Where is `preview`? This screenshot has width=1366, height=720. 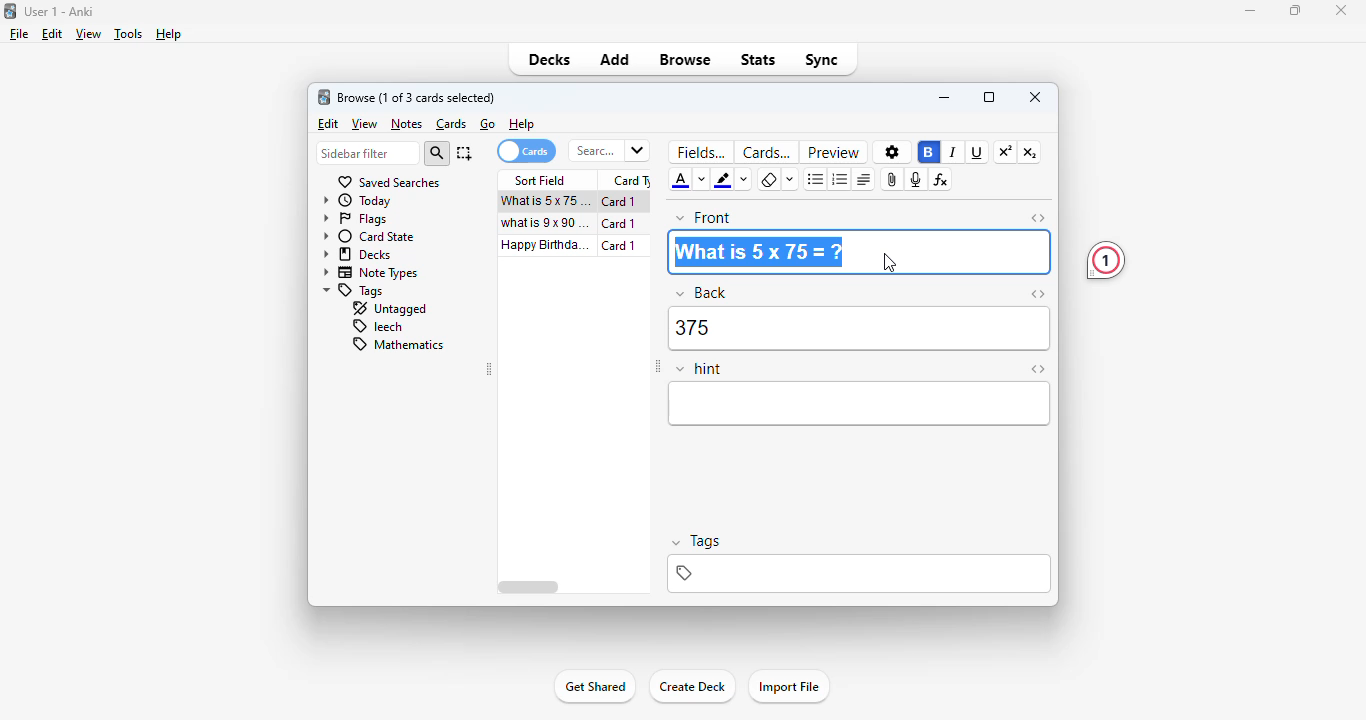
preview is located at coordinates (835, 152).